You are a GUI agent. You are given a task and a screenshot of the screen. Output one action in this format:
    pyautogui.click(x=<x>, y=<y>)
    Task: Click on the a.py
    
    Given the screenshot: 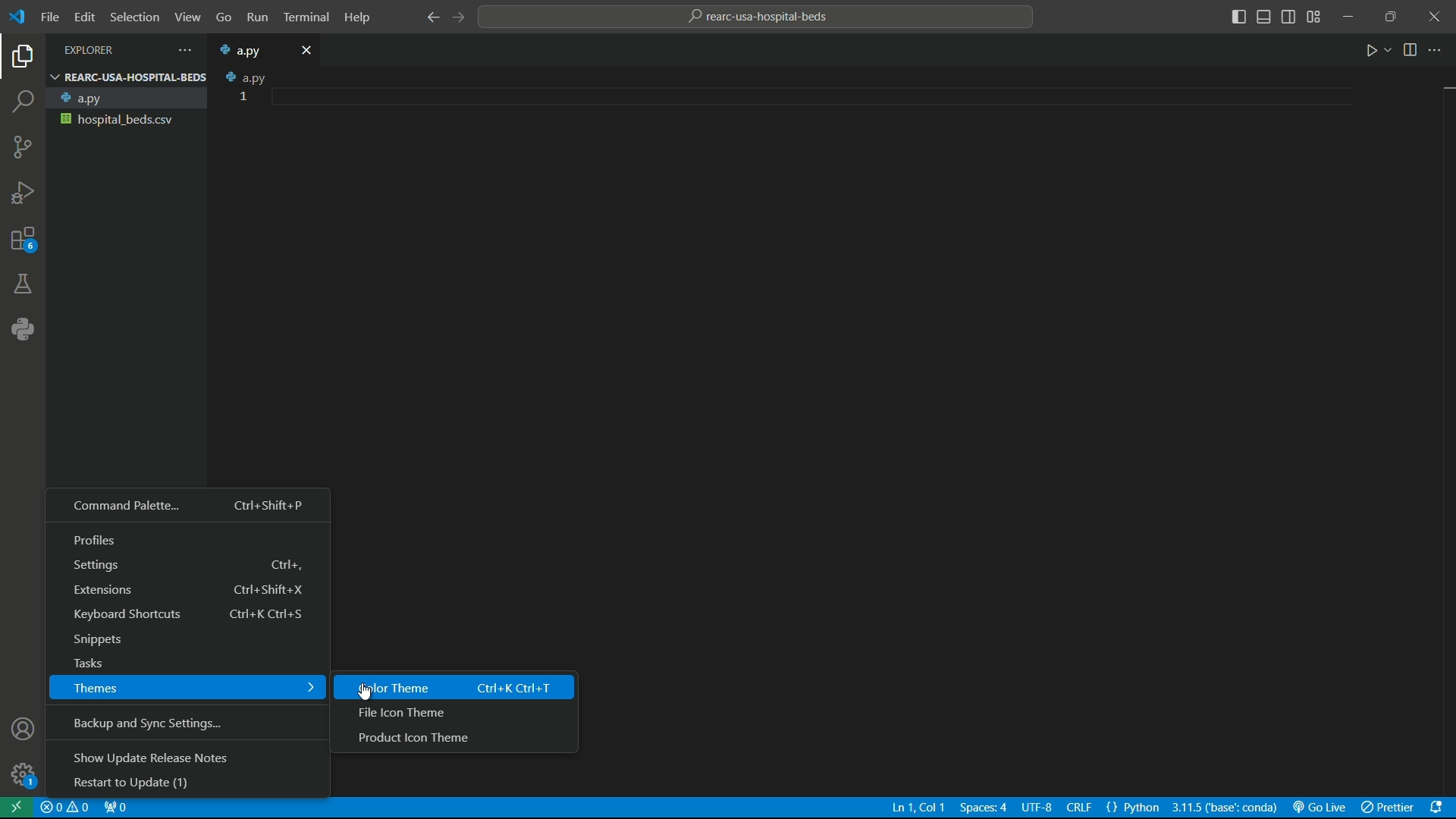 What is the action you would take?
    pyautogui.click(x=124, y=99)
    